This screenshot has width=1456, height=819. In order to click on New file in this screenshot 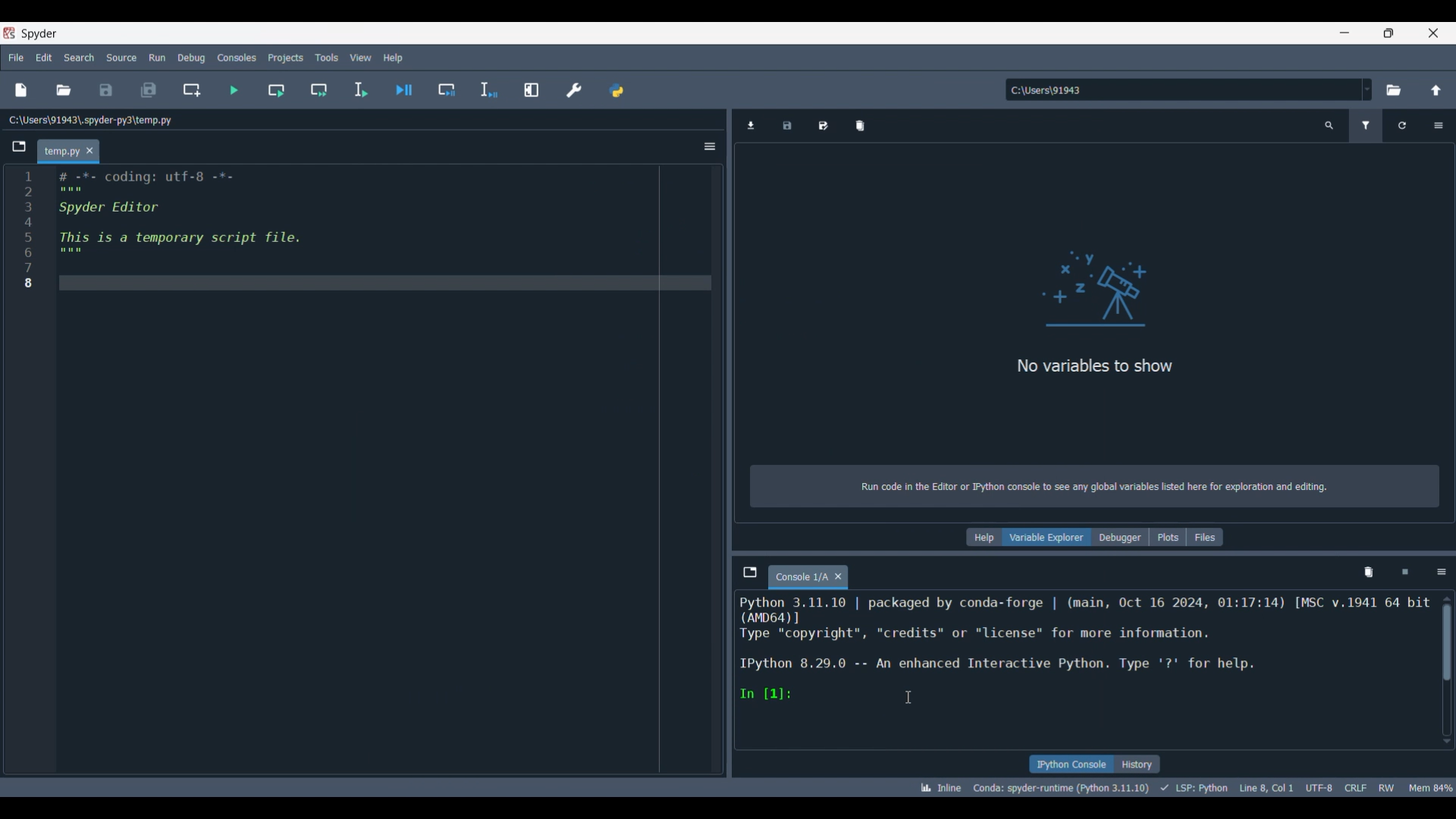, I will do `click(20, 90)`.